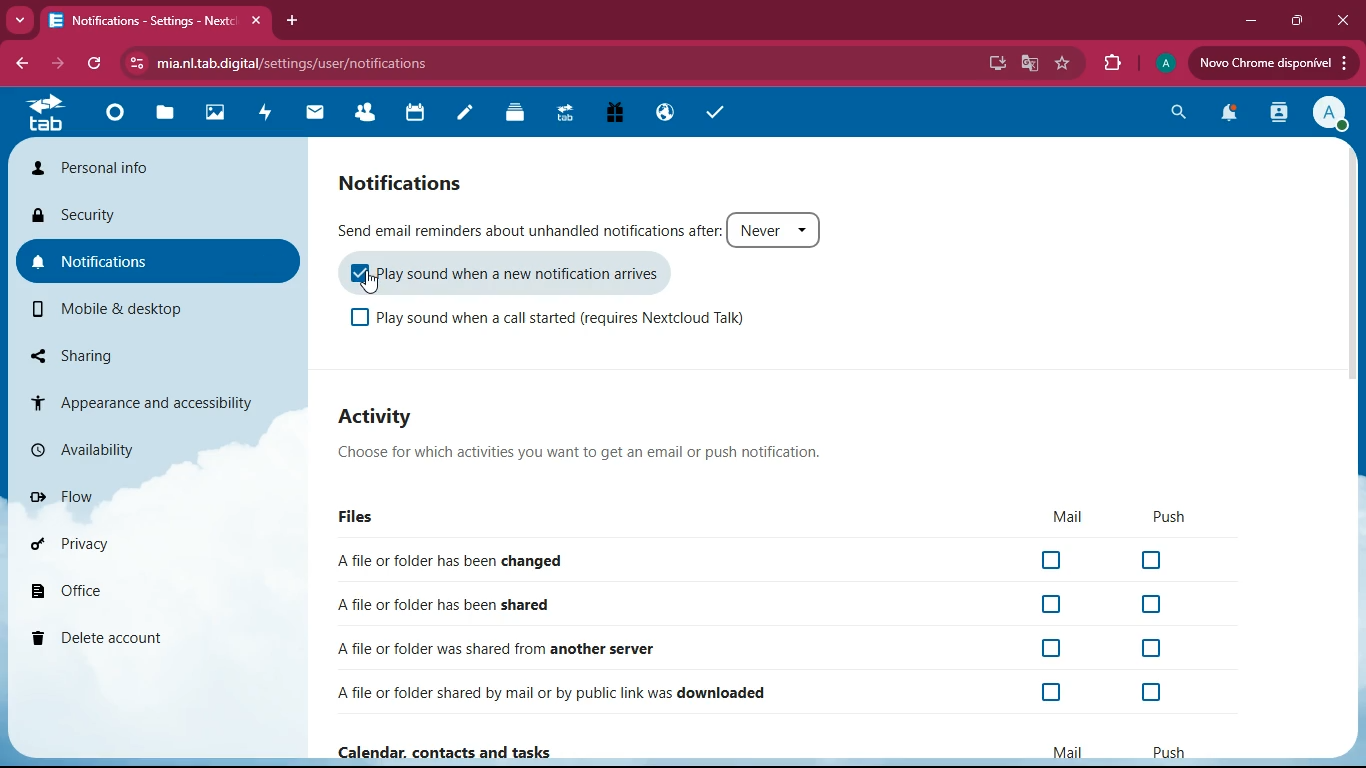 Image resolution: width=1366 pixels, height=768 pixels. I want to click on activity, so click(1276, 114).